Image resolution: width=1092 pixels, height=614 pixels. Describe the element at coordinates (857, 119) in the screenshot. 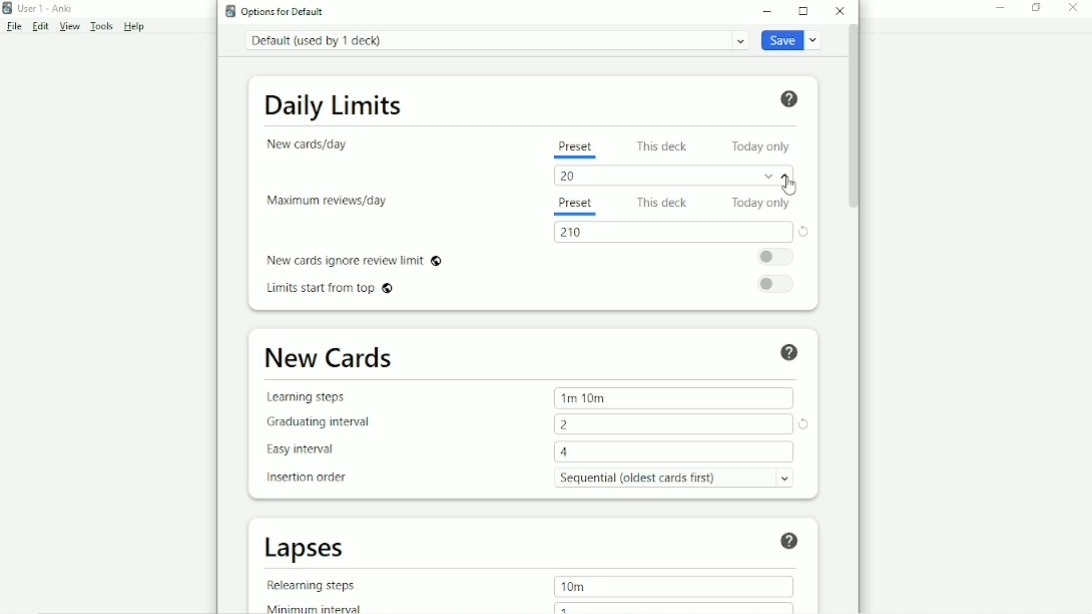

I see `Vertical scrollbar` at that location.